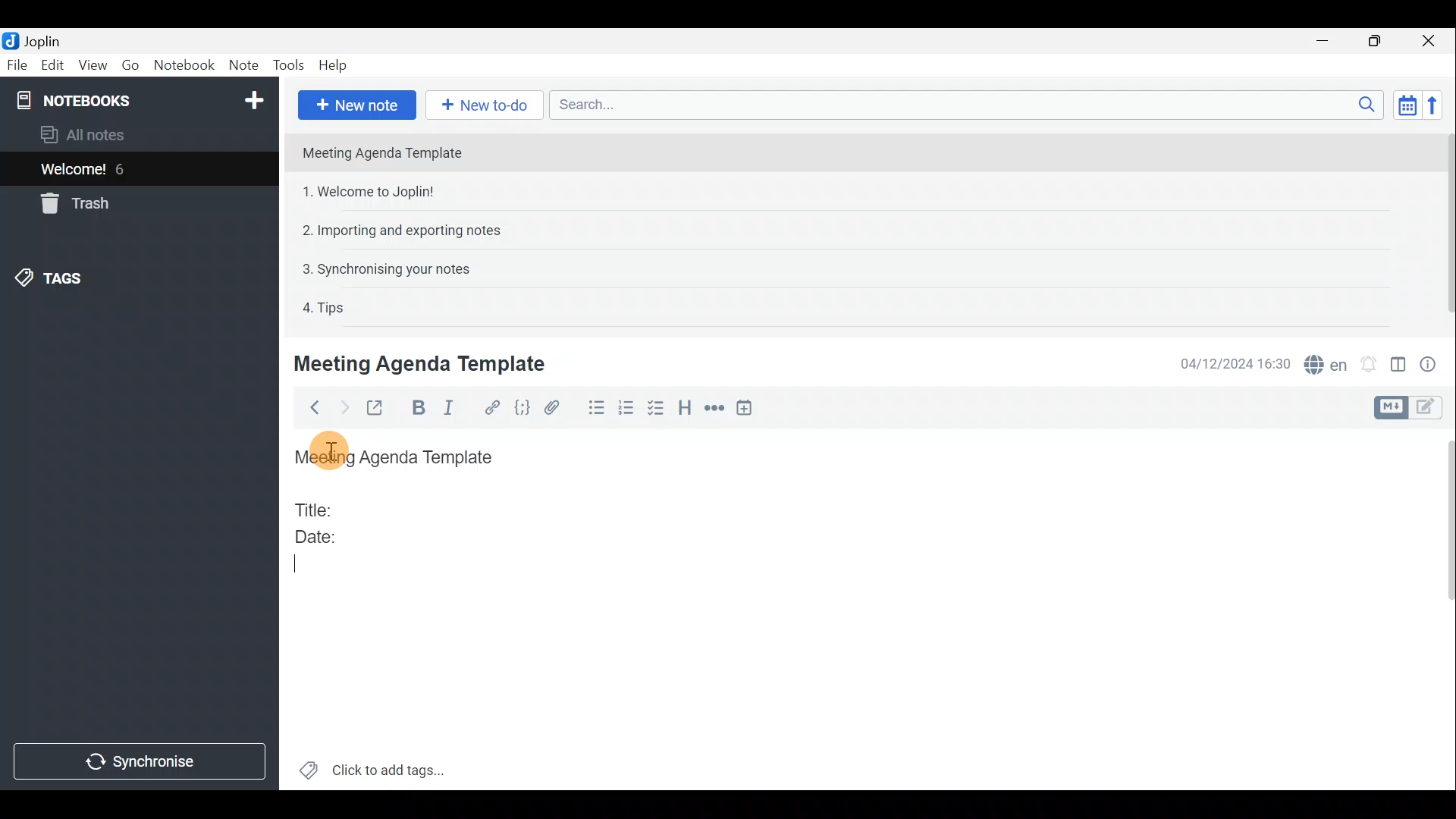 This screenshot has width=1456, height=819. What do you see at coordinates (316, 507) in the screenshot?
I see `Title:` at bounding box center [316, 507].